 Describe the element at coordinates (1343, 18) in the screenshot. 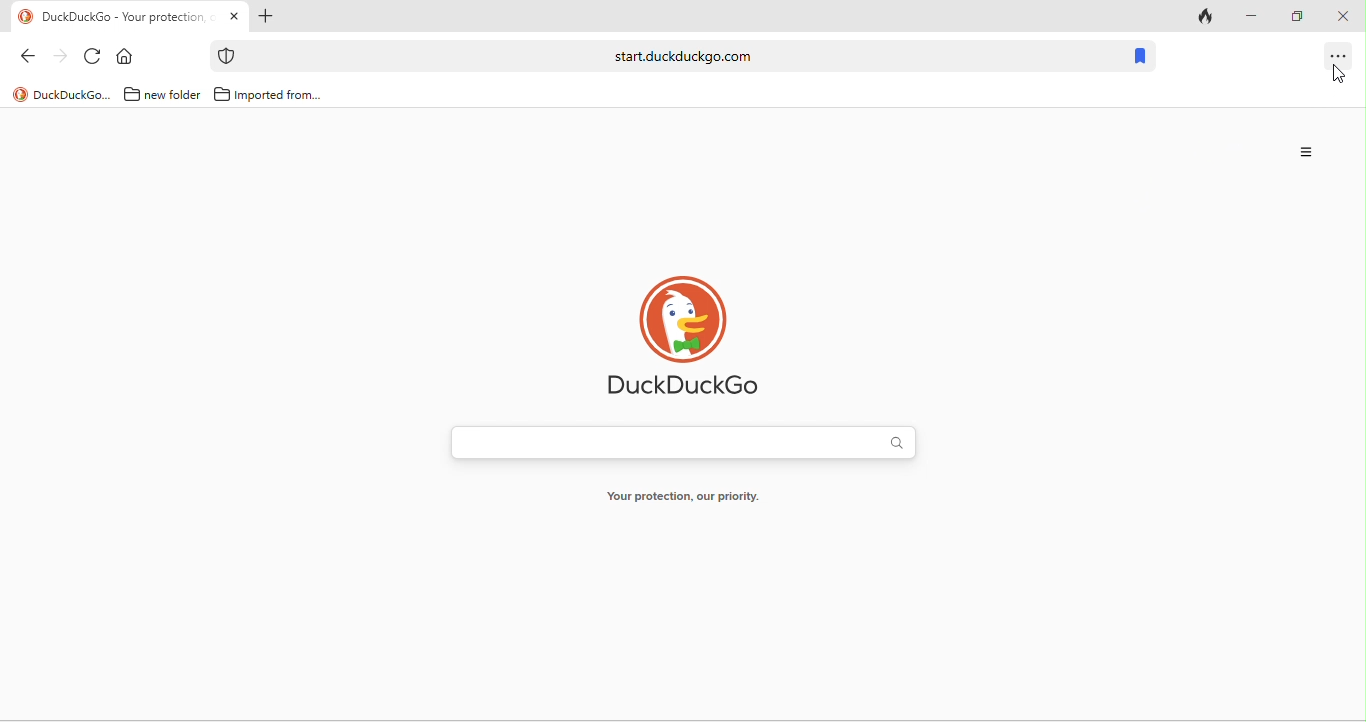

I see `close` at that location.